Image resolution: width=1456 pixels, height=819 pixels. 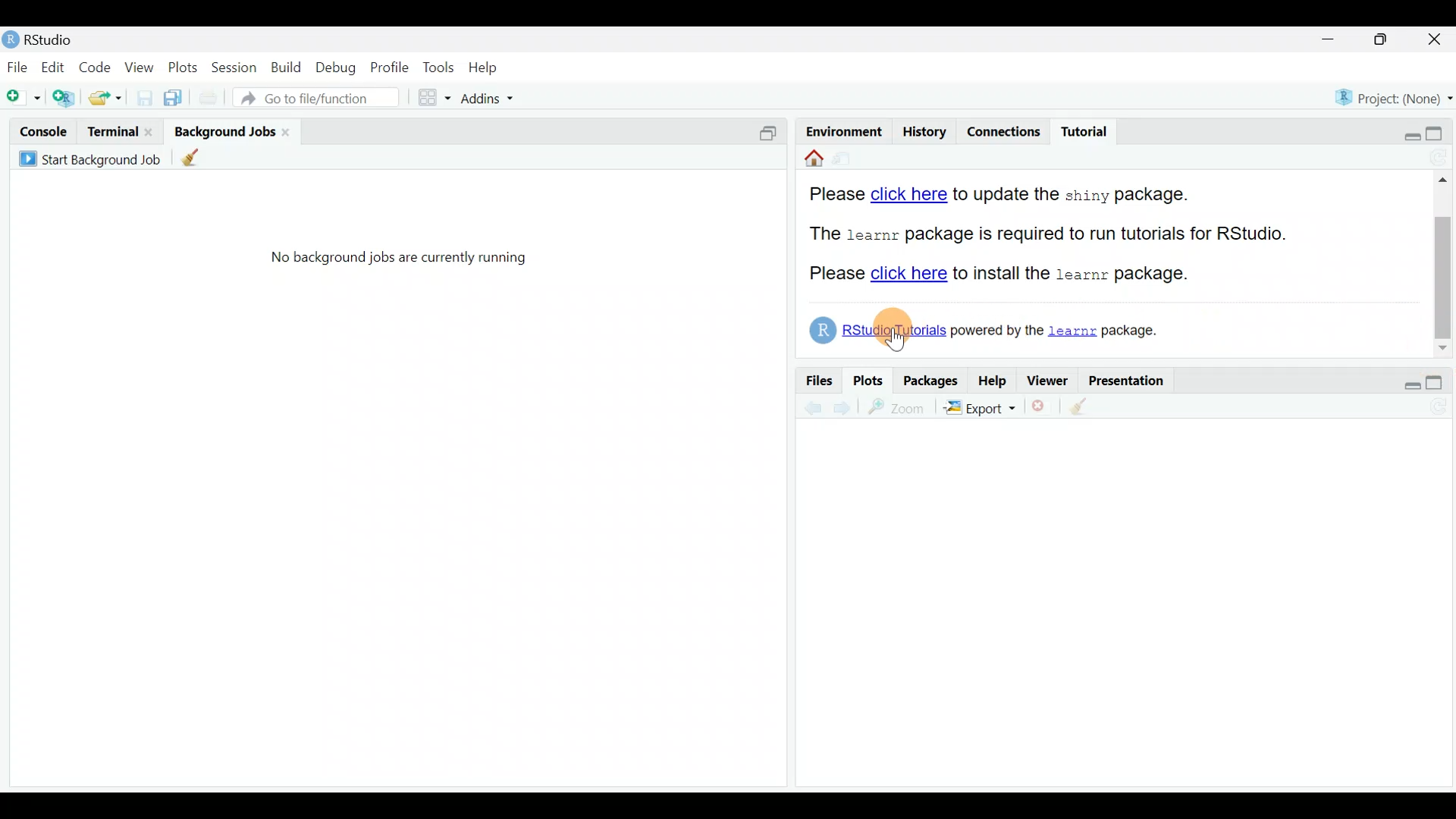 I want to click on Please, so click(x=836, y=275).